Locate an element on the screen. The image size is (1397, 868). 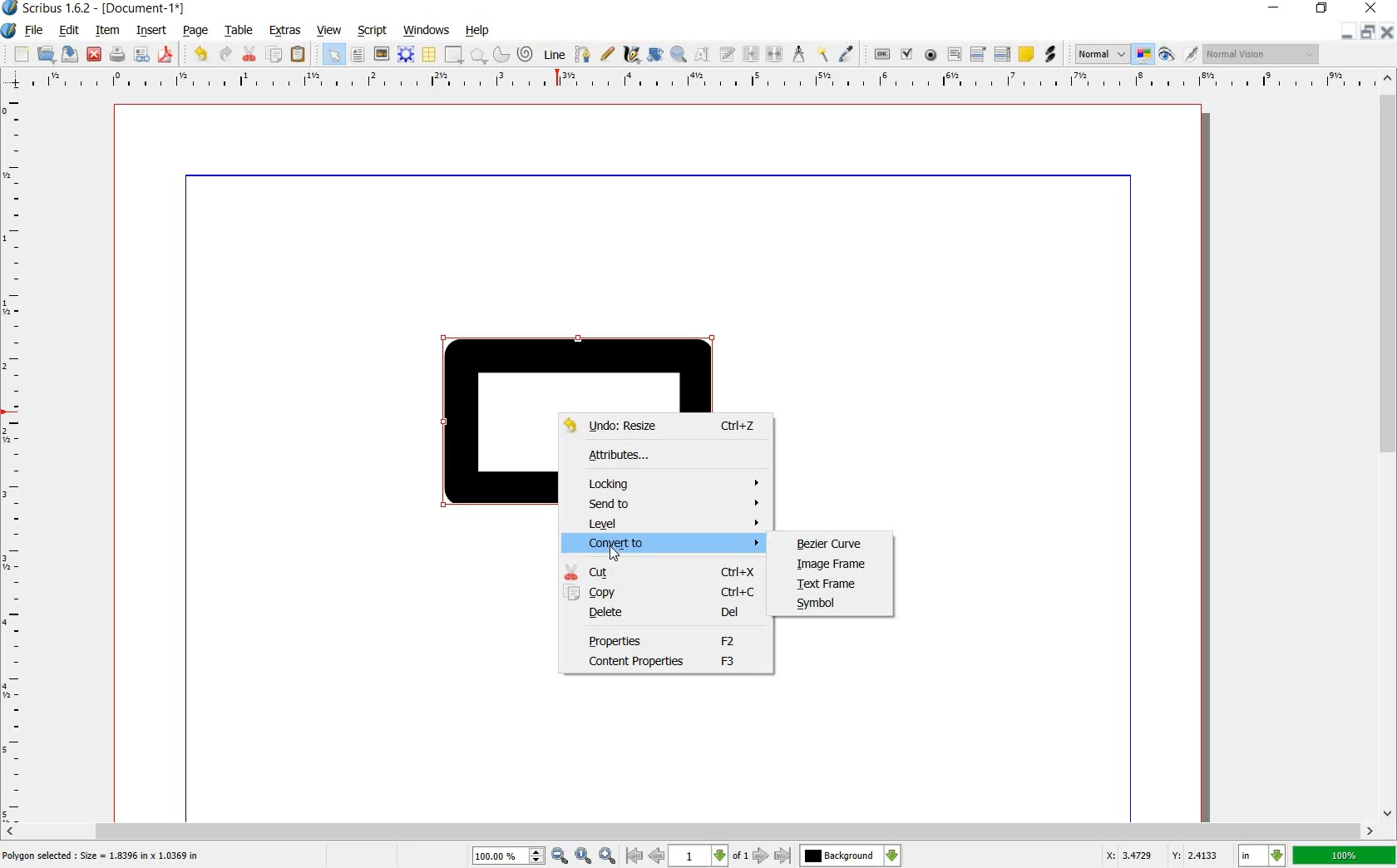
CUT Ctrl+X is located at coordinates (663, 571).